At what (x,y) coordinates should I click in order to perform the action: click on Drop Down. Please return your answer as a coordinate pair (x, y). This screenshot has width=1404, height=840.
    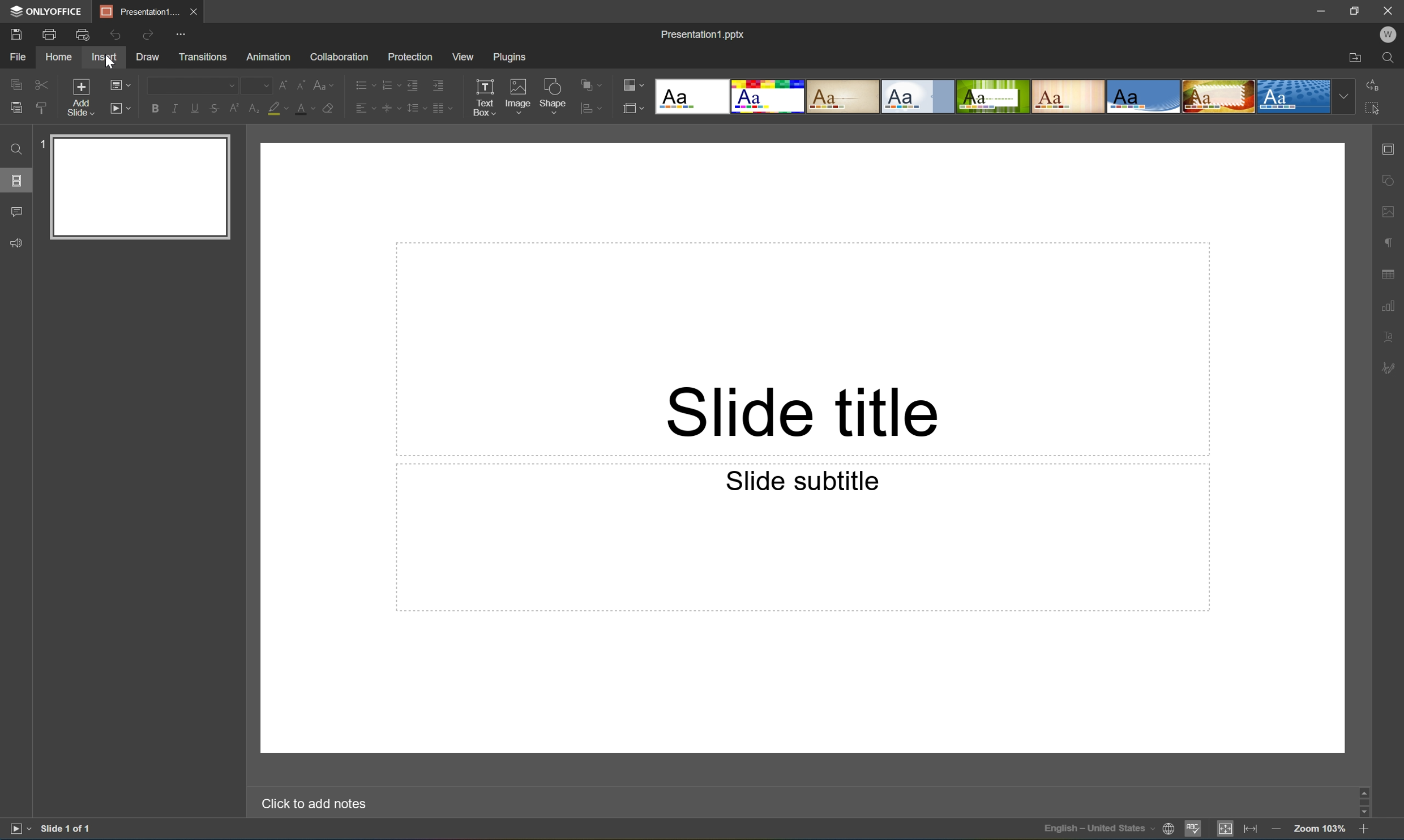
    Looking at the image, I should click on (1343, 97).